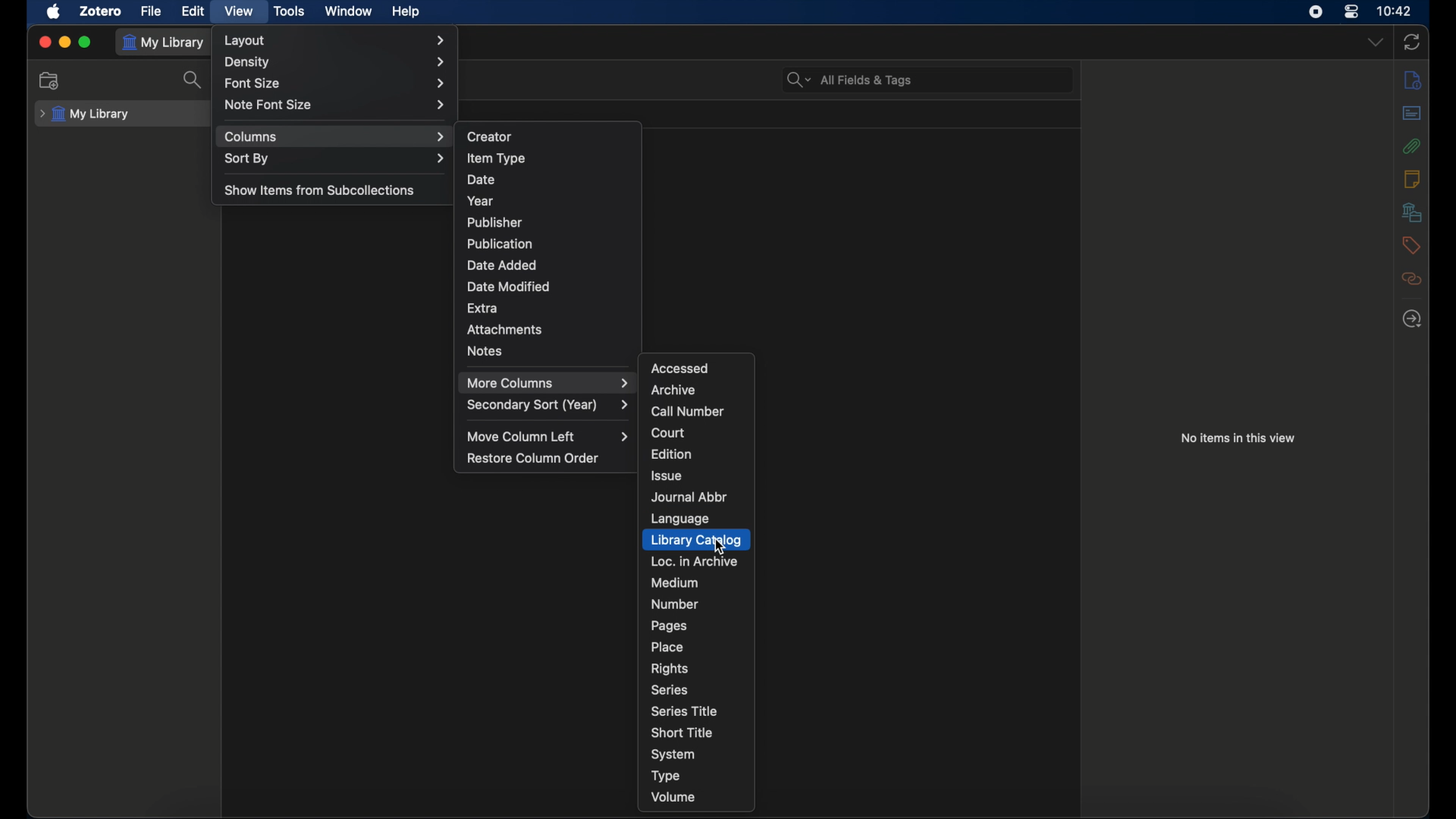 The width and height of the screenshot is (1456, 819). I want to click on edition, so click(673, 453).